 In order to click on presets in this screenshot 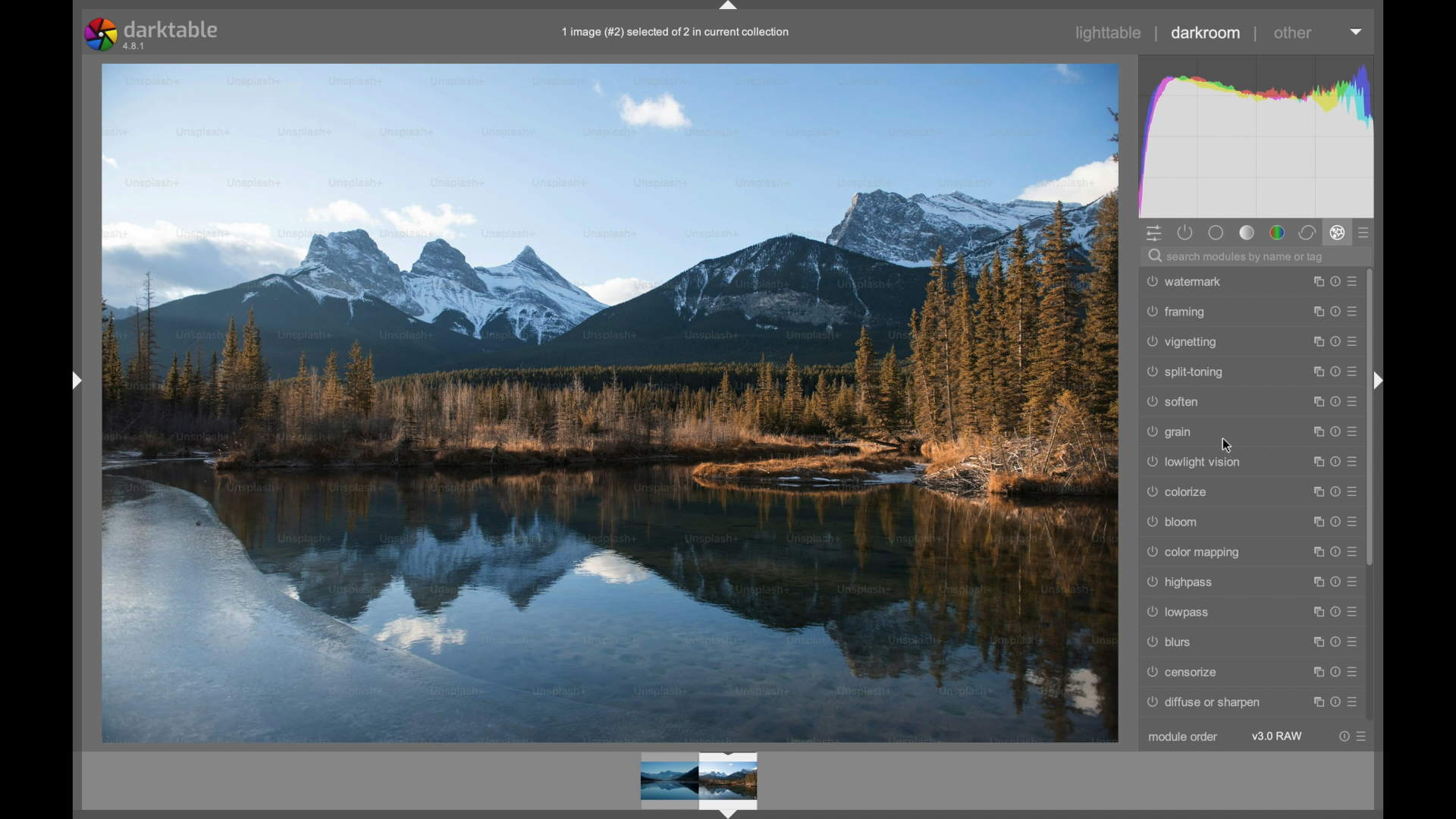, I will do `click(1355, 340)`.